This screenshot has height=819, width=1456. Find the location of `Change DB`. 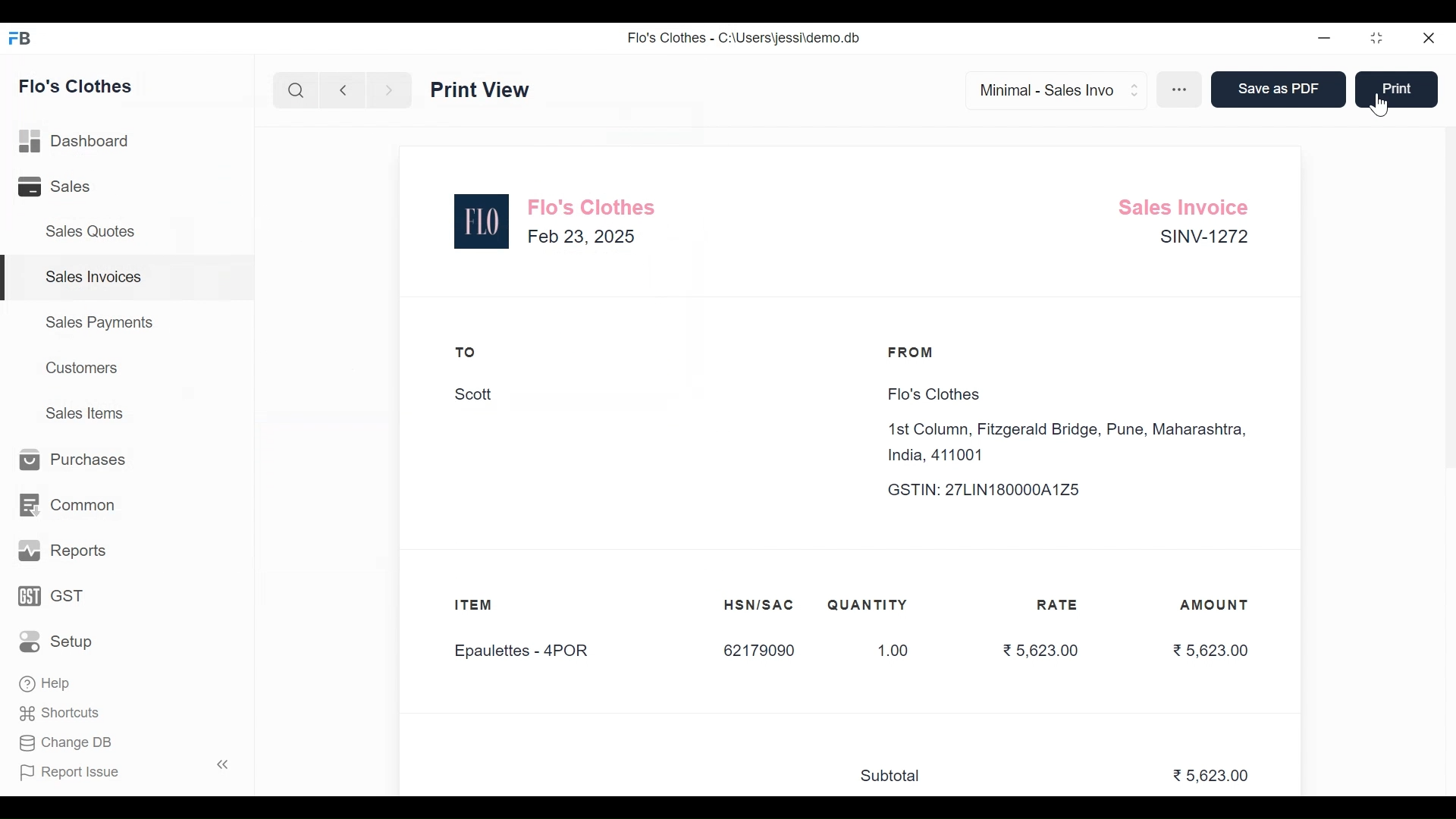

Change DB is located at coordinates (64, 742).